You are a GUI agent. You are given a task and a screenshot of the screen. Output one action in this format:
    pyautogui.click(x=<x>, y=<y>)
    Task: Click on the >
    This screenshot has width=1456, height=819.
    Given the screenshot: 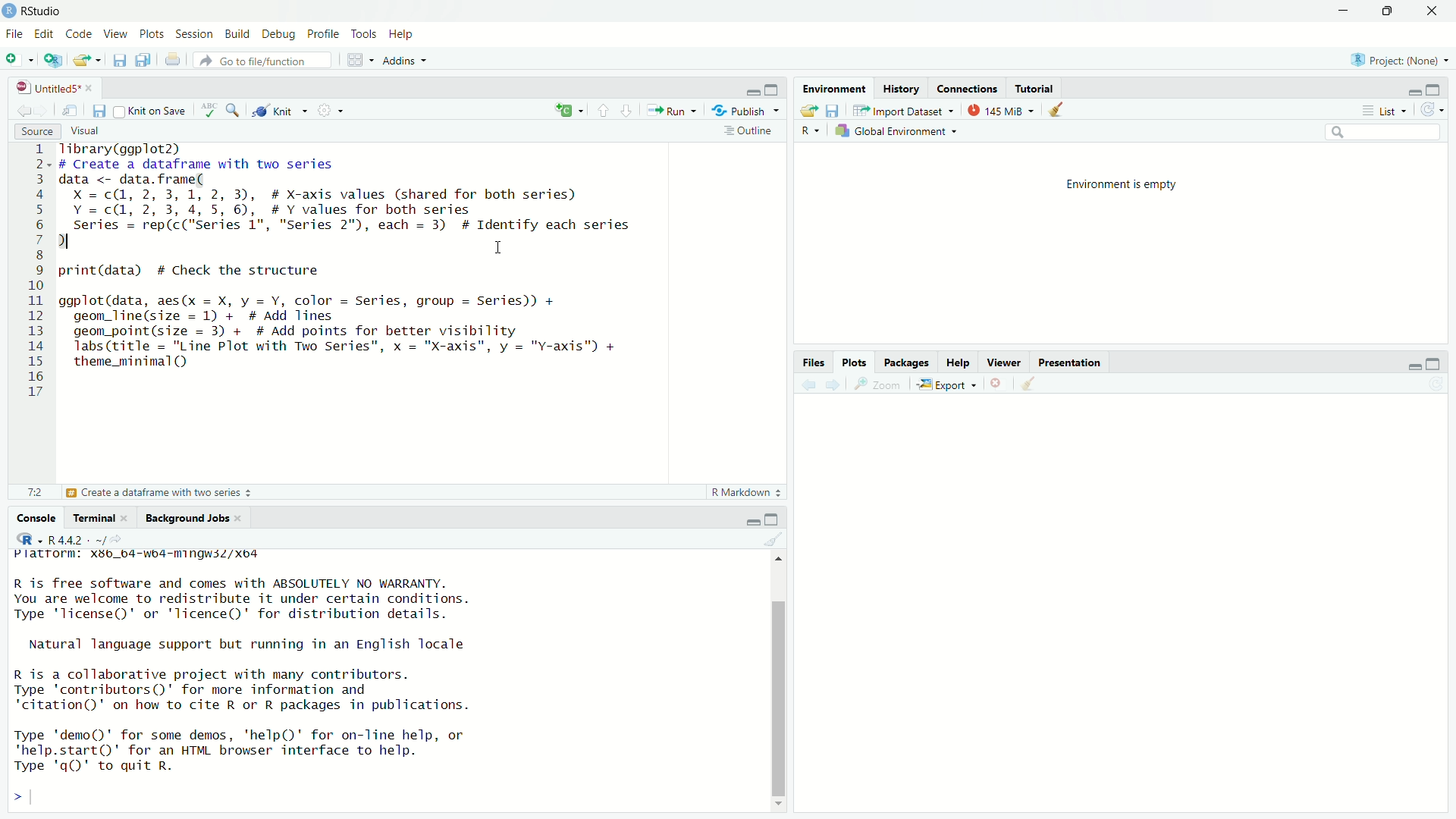 What is the action you would take?
    pyautogui.click(x=11, y=795)
    